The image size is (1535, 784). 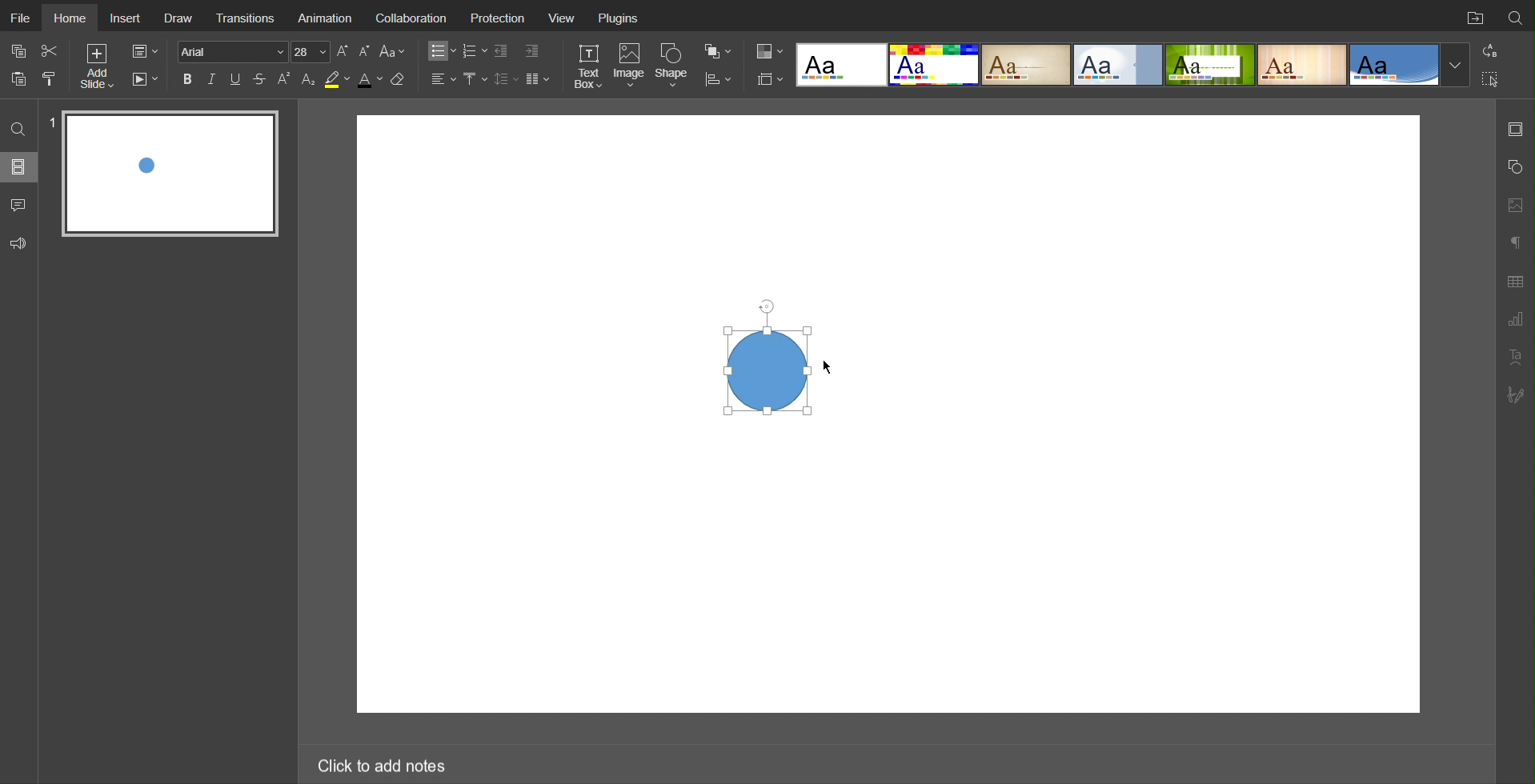 I want to click on Templates, so click(x=1132, y=65).